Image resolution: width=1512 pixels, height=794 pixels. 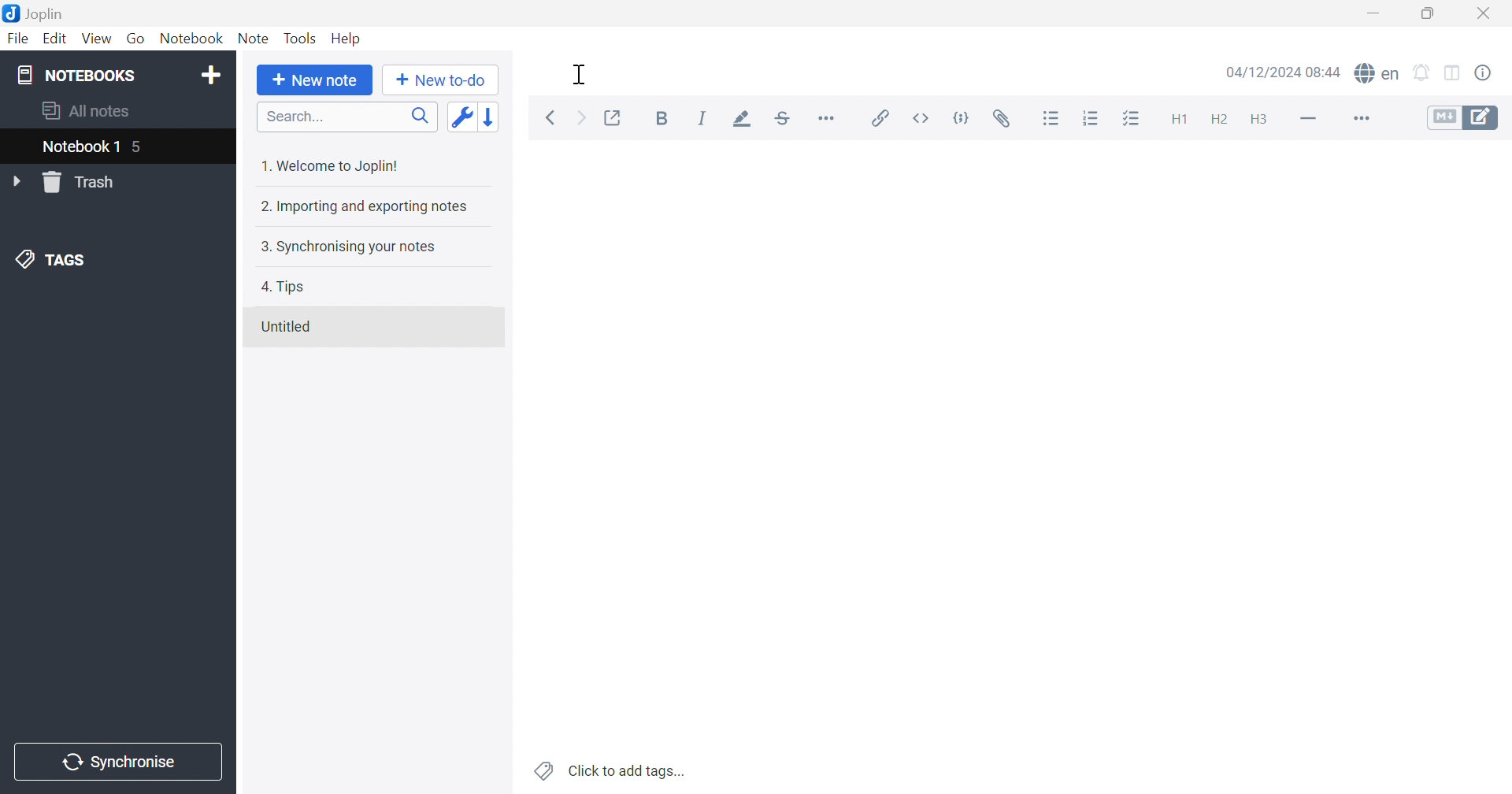 I want to click on 5, so click(x=140, y=149).